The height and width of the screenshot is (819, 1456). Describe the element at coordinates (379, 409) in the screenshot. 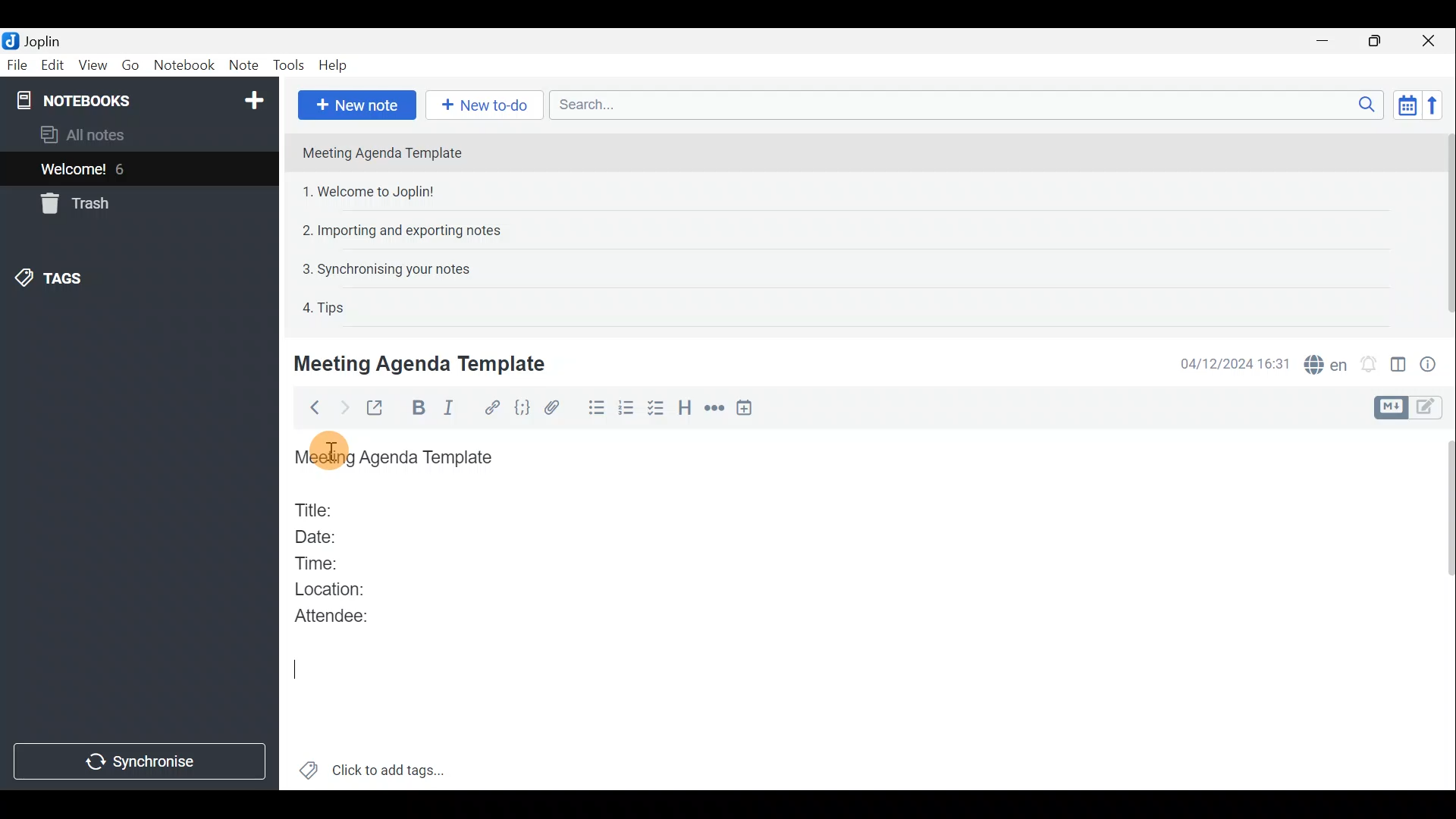

I see `Toggle external editing` at that location.